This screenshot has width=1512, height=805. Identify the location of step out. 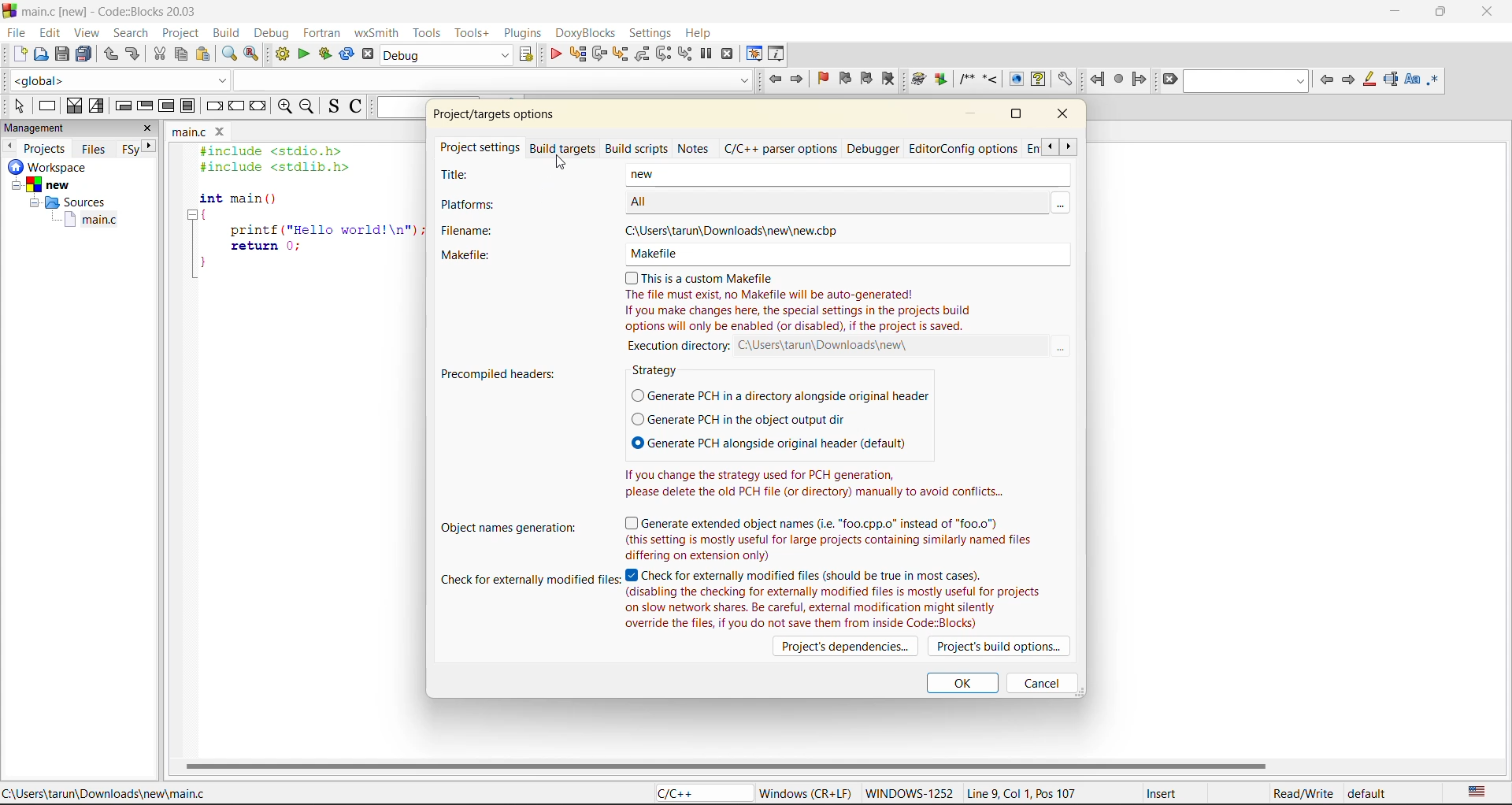
(643, 54).